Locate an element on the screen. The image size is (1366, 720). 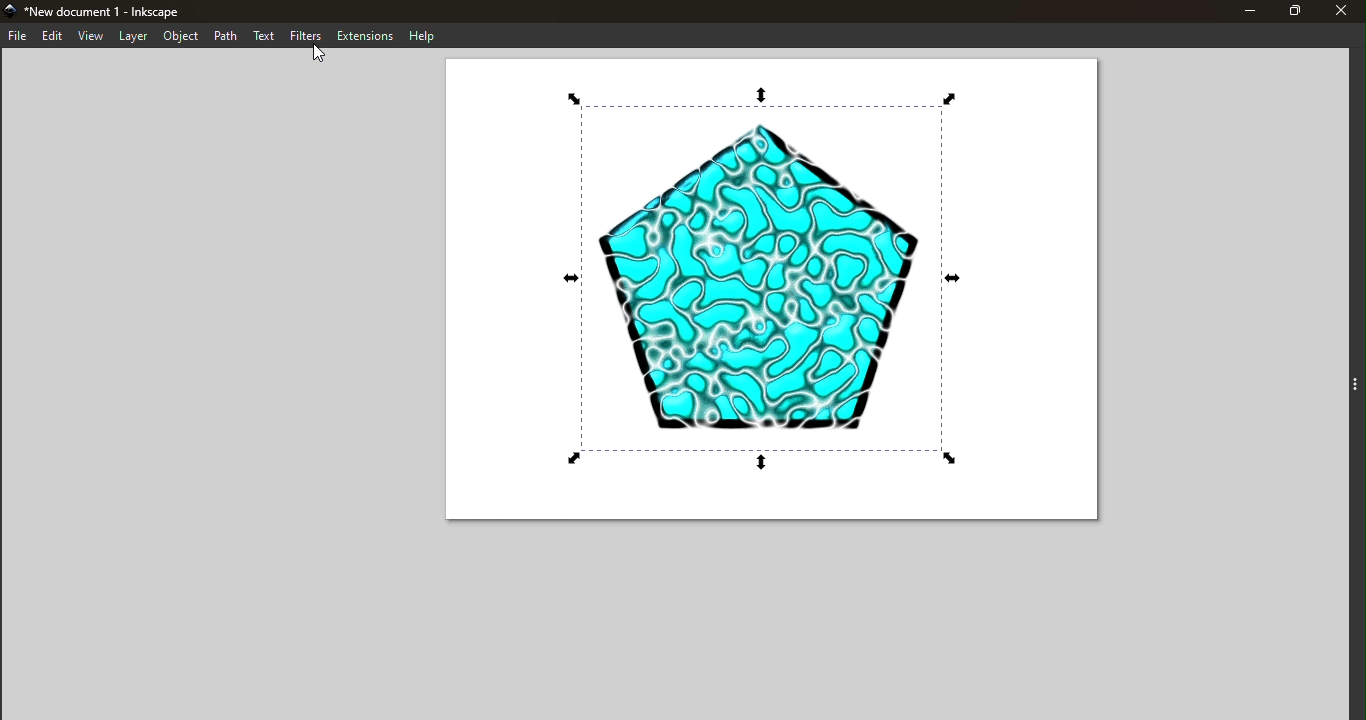
Toggle command panel is located at coordinates (1342, 390).